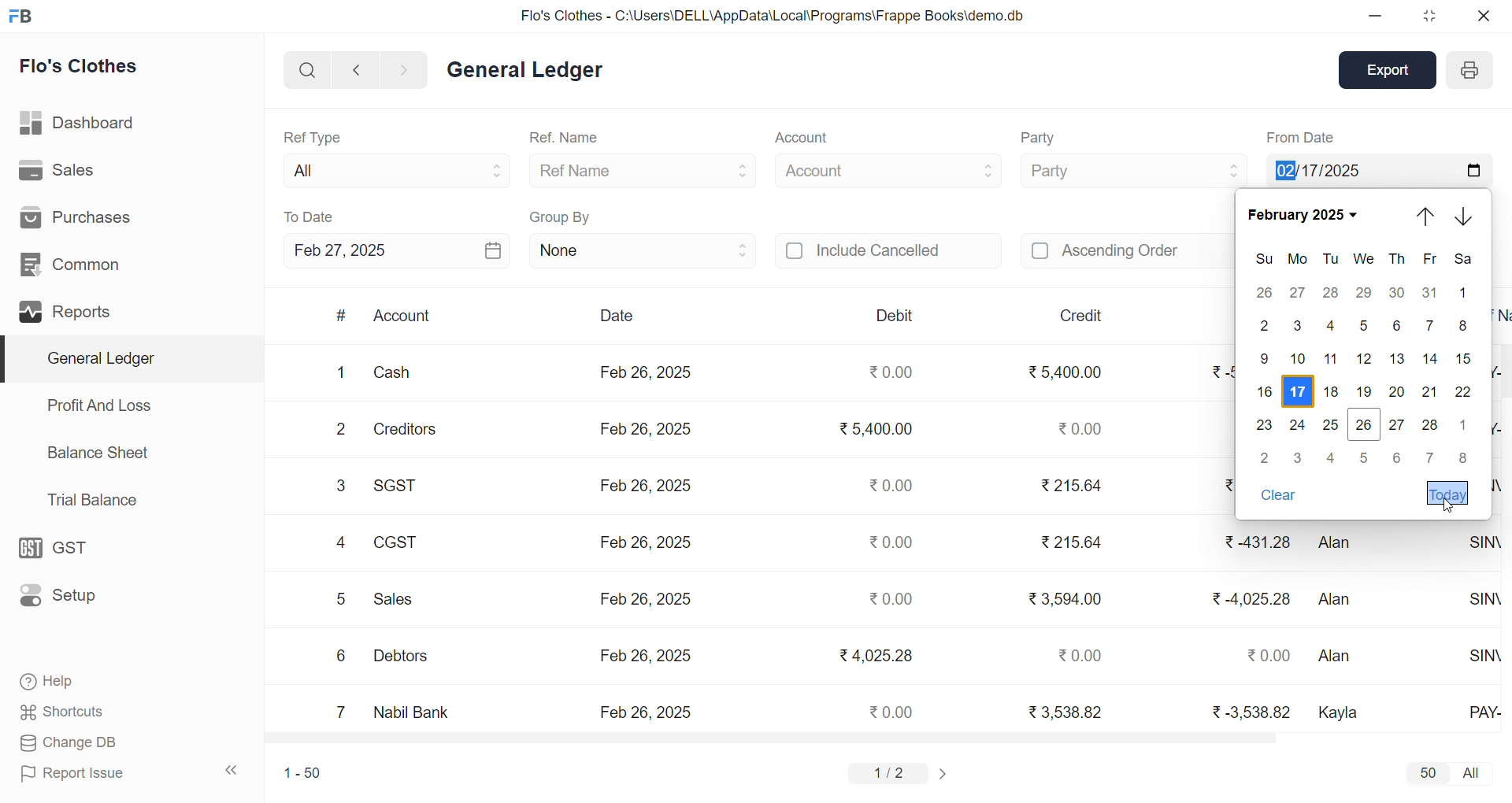 This screenshot has height=803, width=1512. Describe the element at coordinates (1301, 137) in the screenshot. I see `From Date` at that location.